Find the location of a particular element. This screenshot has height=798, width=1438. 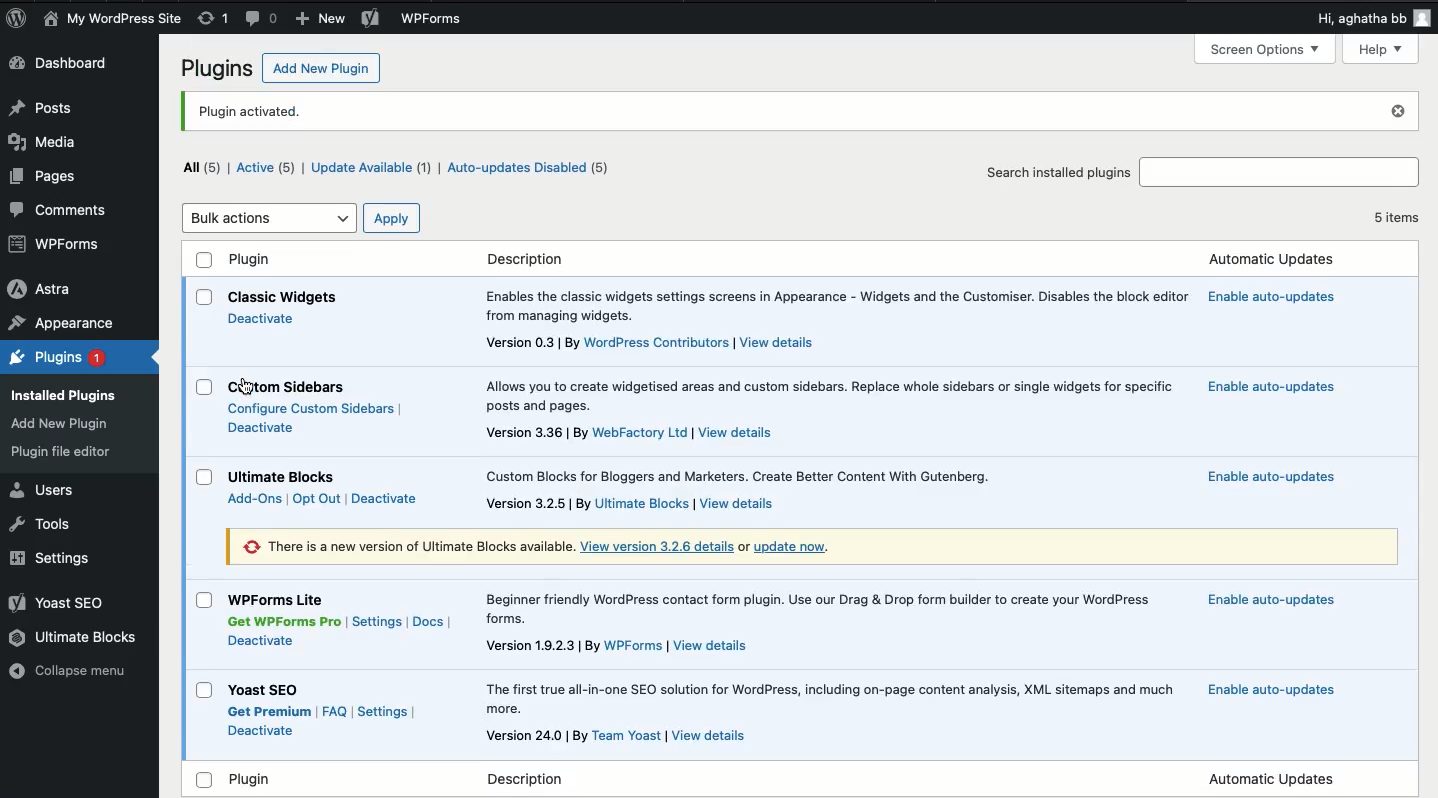

view details is located at coordinates (742, 431).